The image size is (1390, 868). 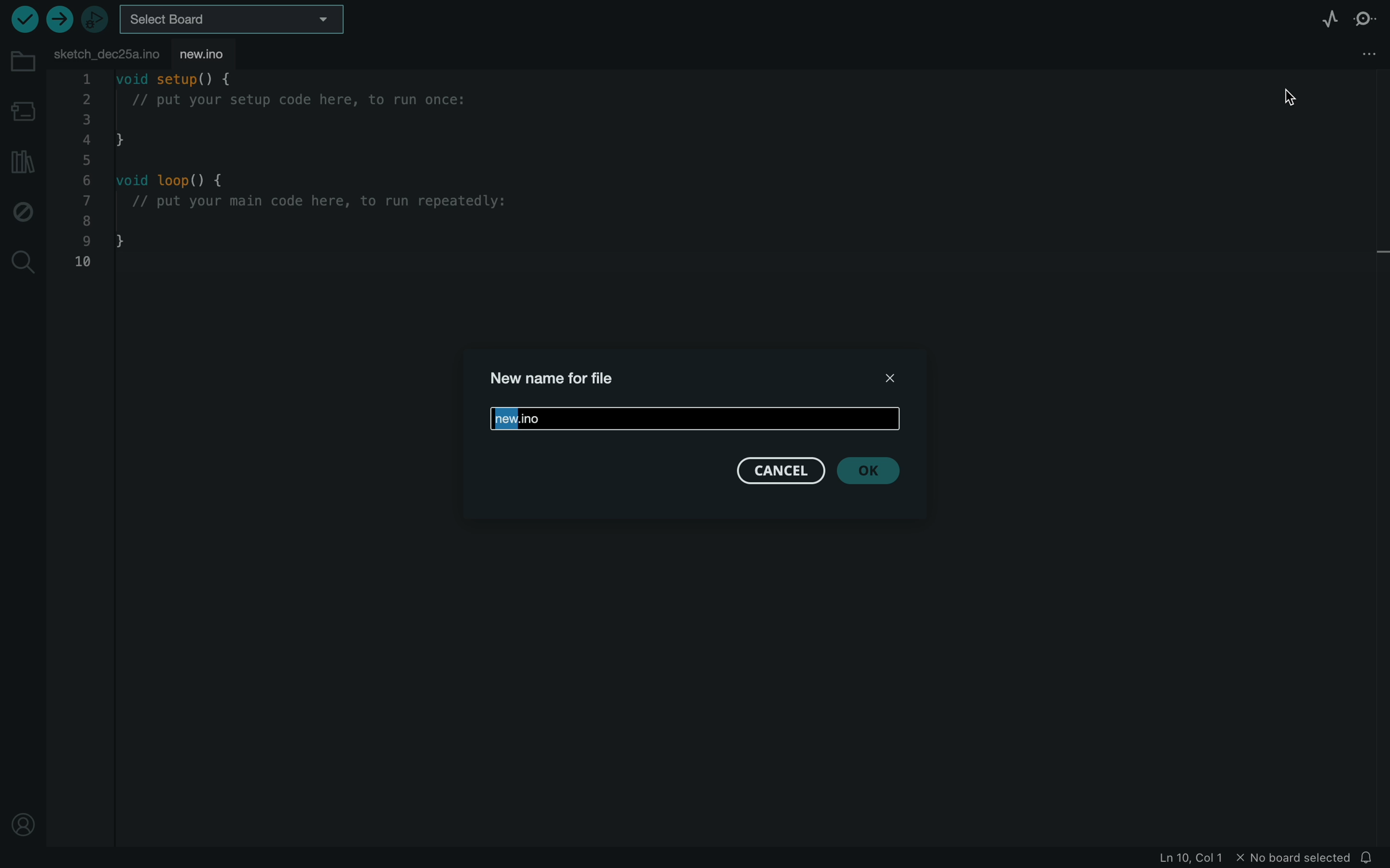 What do you see at coordinates (558, 381) in the screenshot?
I see `new name ` at bounding box center [558, 381].